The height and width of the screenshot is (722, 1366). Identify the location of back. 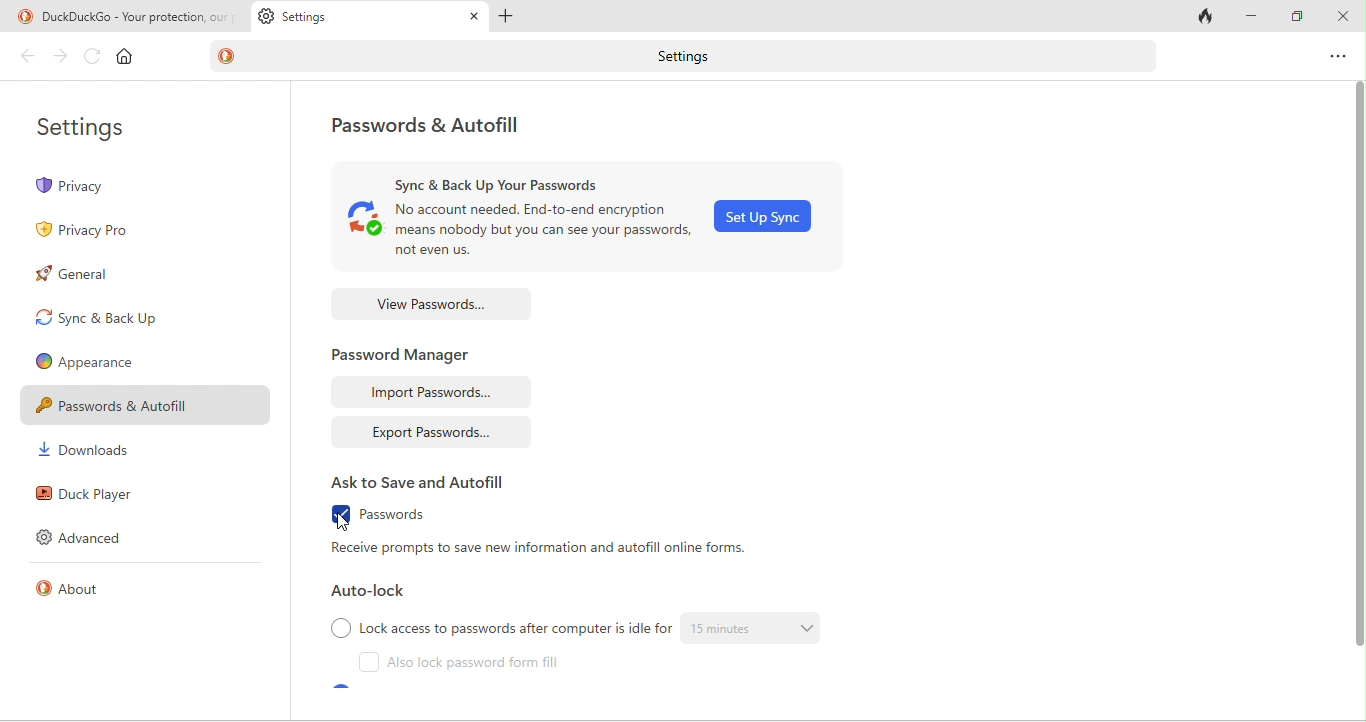
(27, 58).